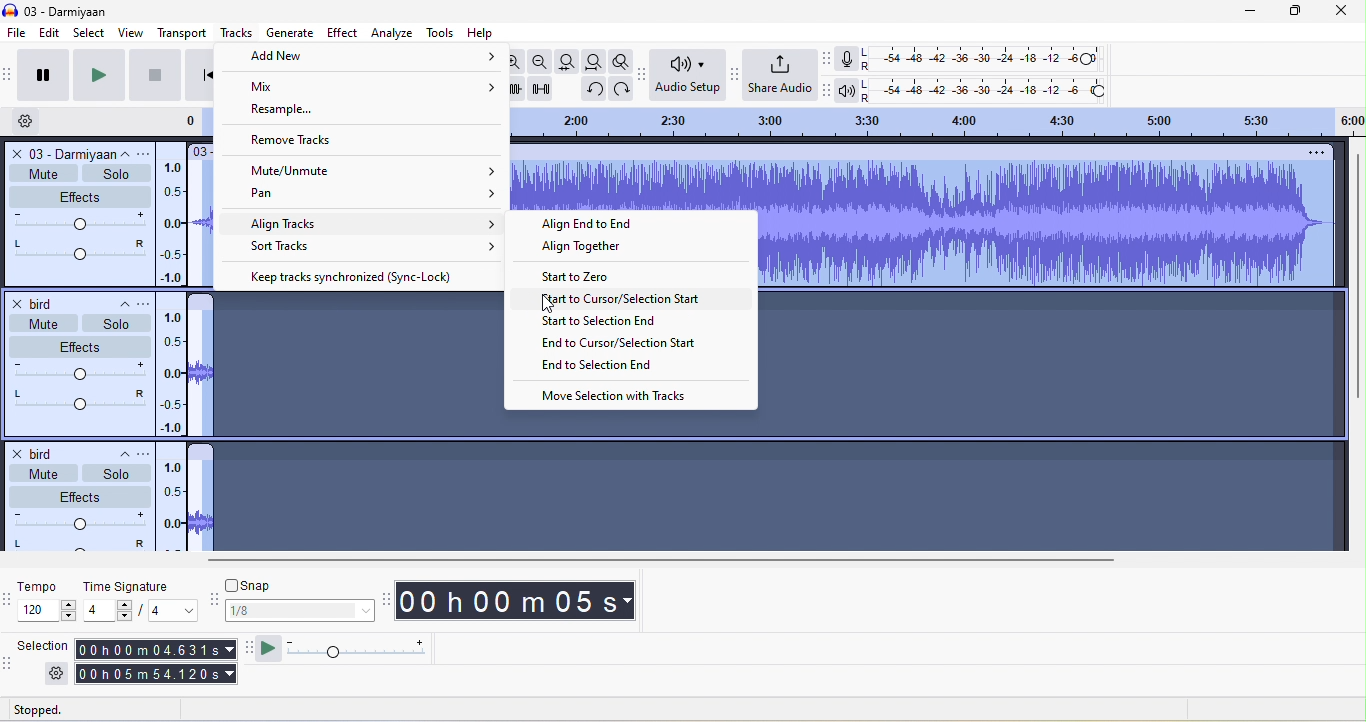  What do you see at coordinates (154, 672) in the screenshot?
I see `00 h 05 m 54.1.120 s` at bounding box center [154, 672].